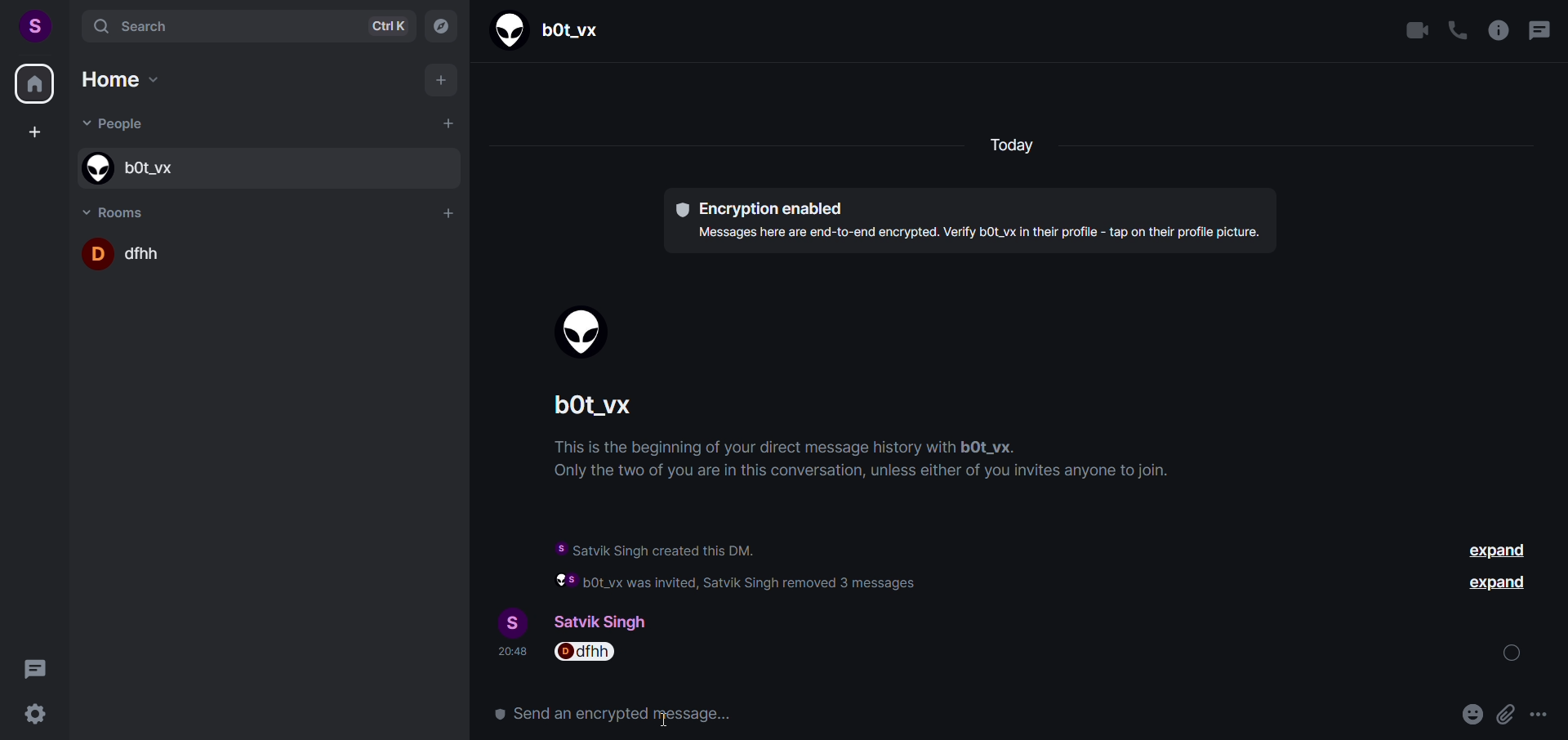 The width and height of the screenshot is (1568, 740). What do you see at coordinates (443, 82) in the screenshot?
I see `add` at bounding box center [443, 82].